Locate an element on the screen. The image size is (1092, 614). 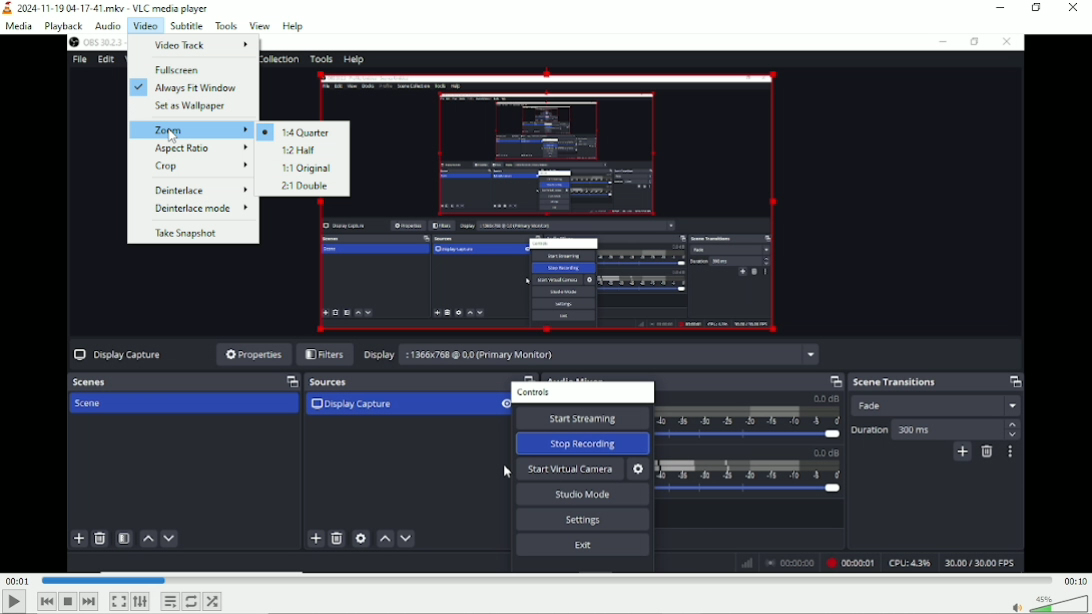
Deinterlace is located at coordinates (200, 191).